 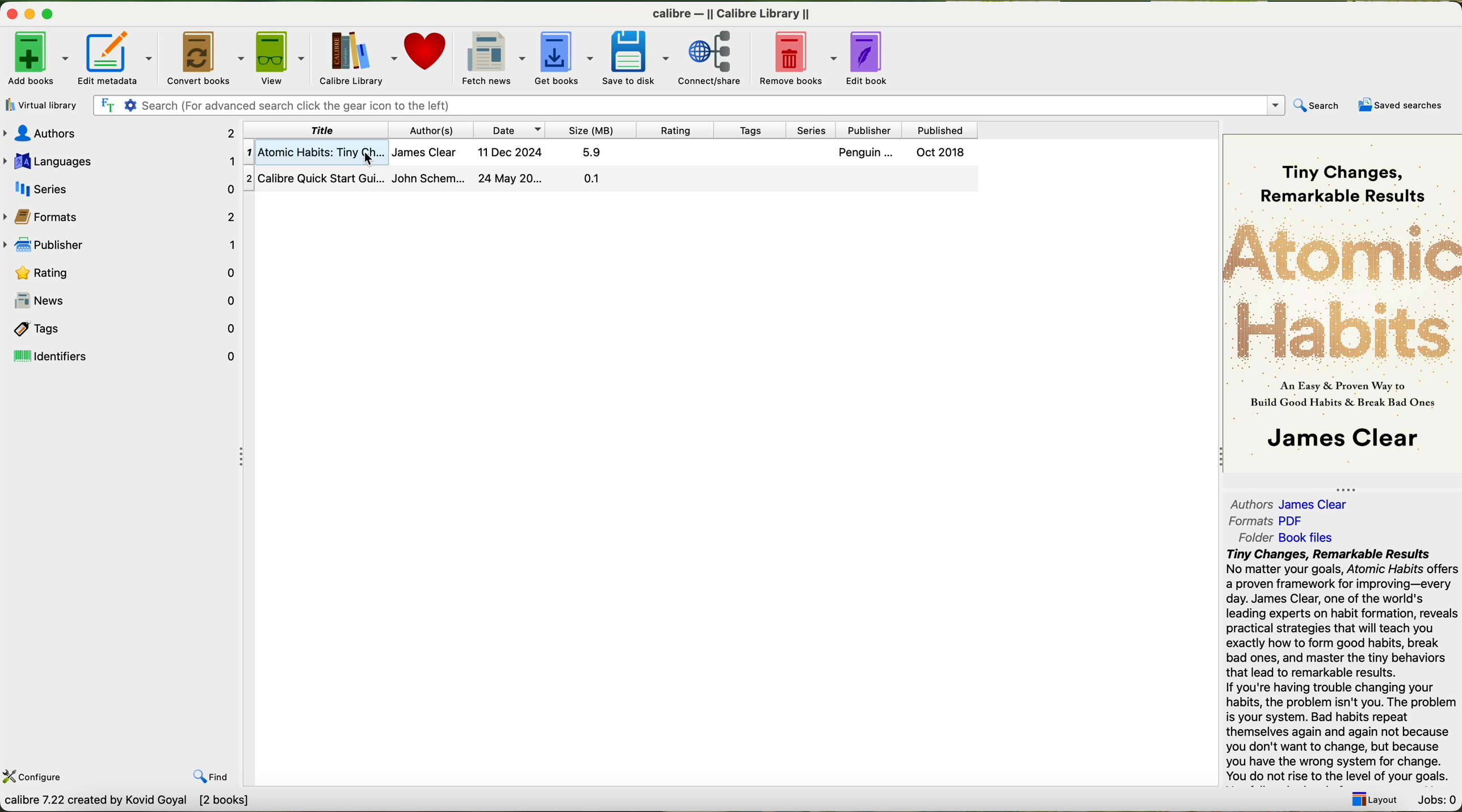 I want to click on remove books, so click(x=794, y=59).